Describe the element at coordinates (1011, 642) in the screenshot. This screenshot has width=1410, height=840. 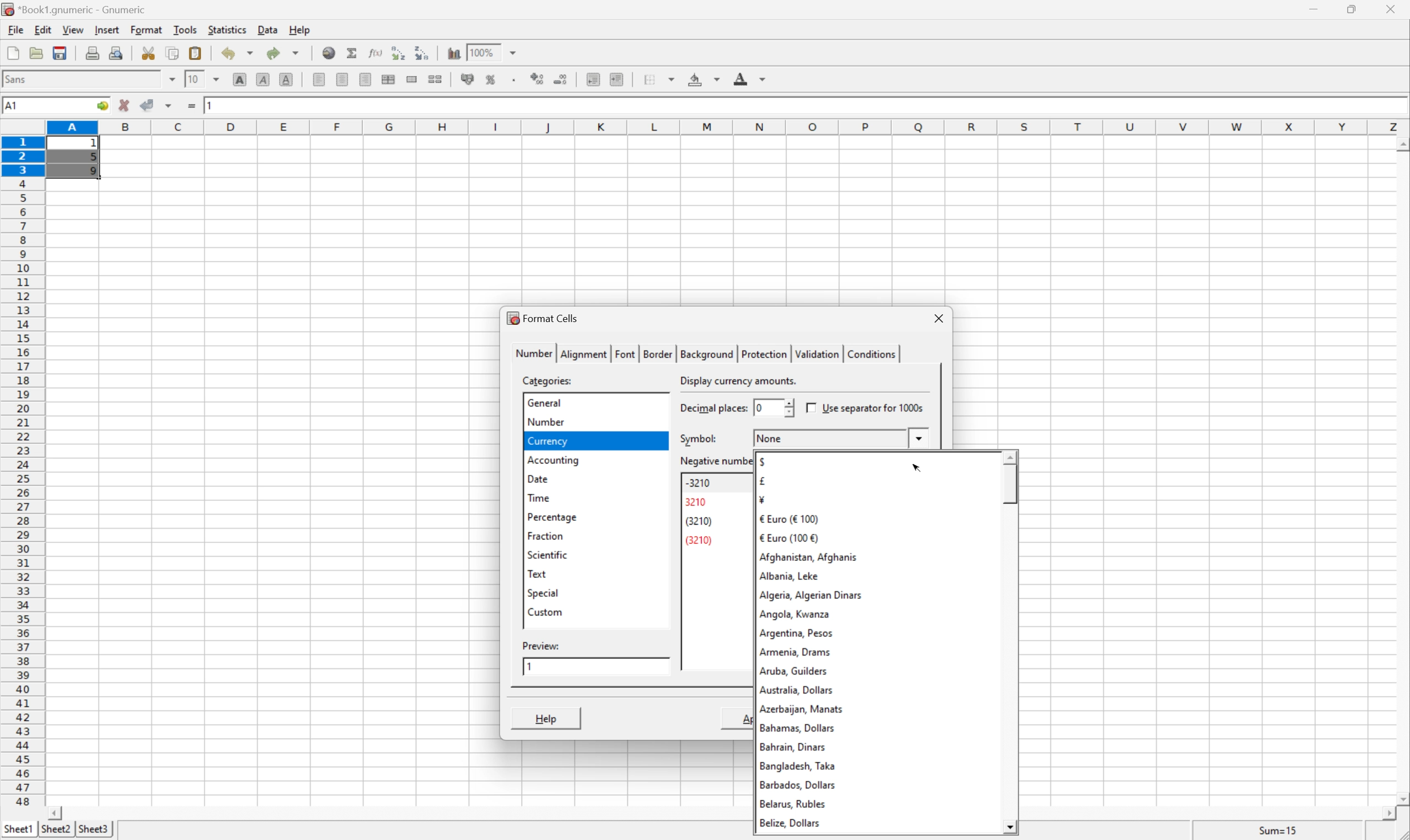
I see `scroll bar` at that location.